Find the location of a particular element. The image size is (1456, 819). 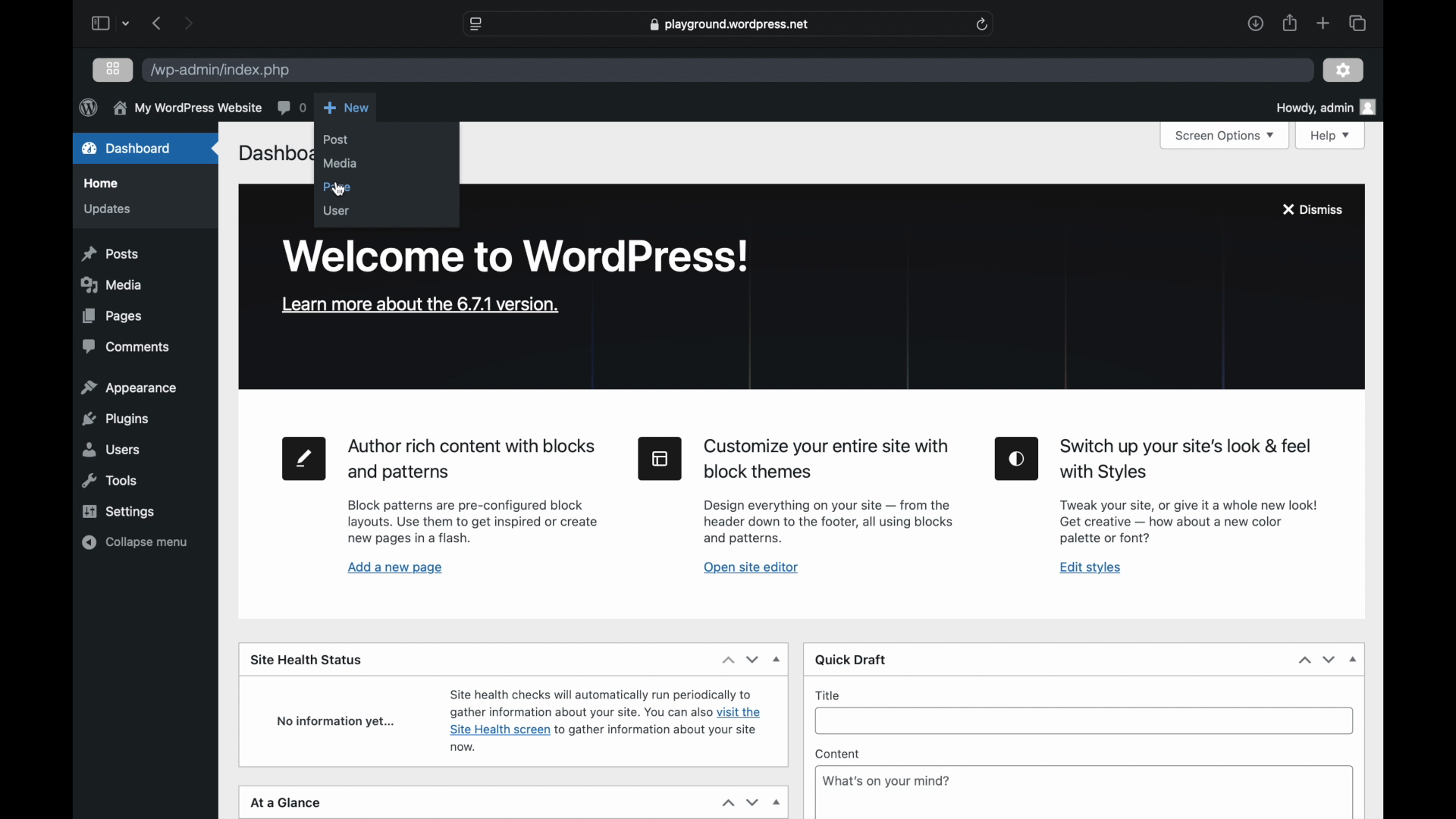

playground.wordpress.net is located at coordinates (730, 24).